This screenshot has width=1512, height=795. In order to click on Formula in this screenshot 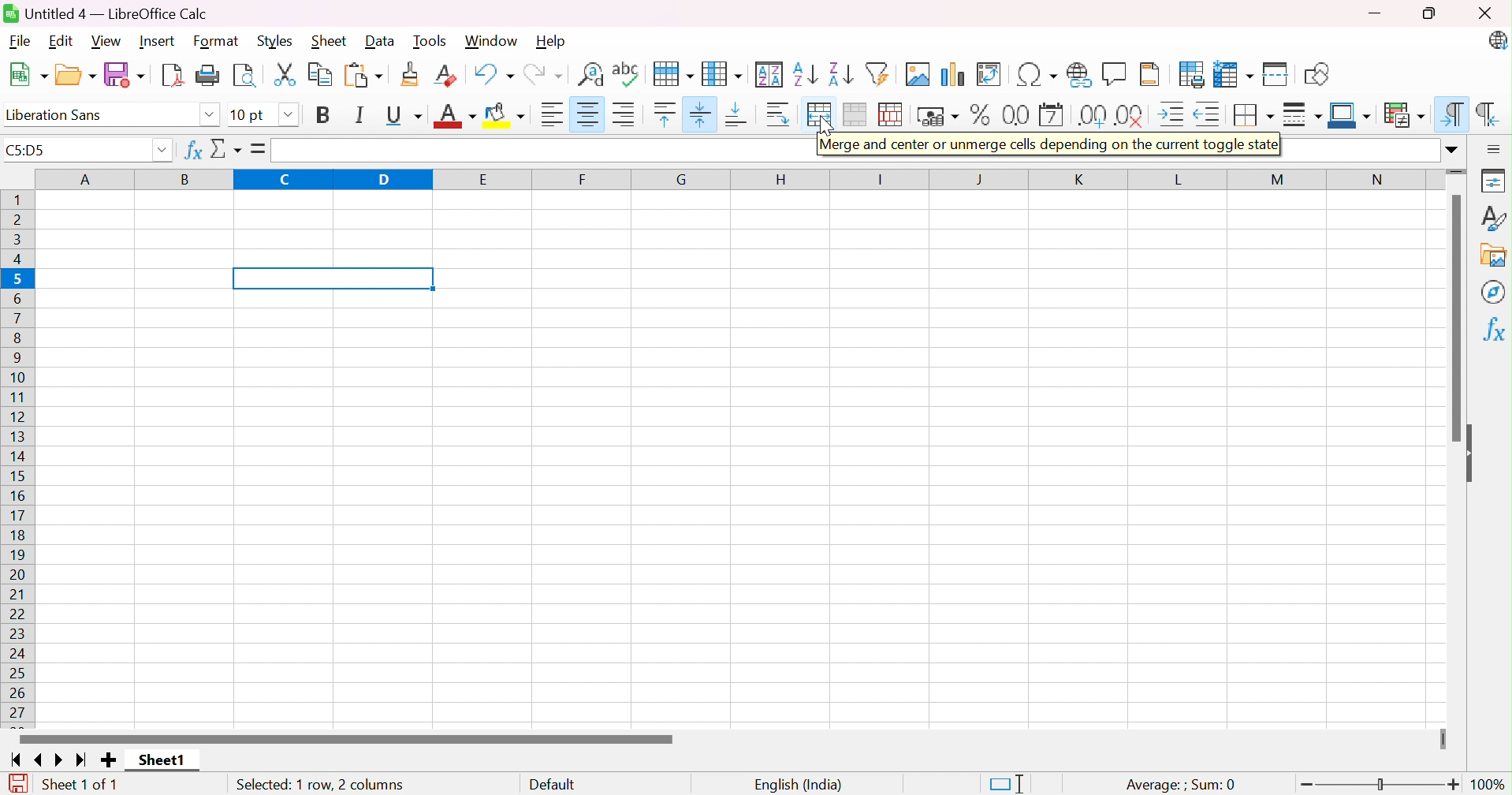, I will do `click(259, 148)`.